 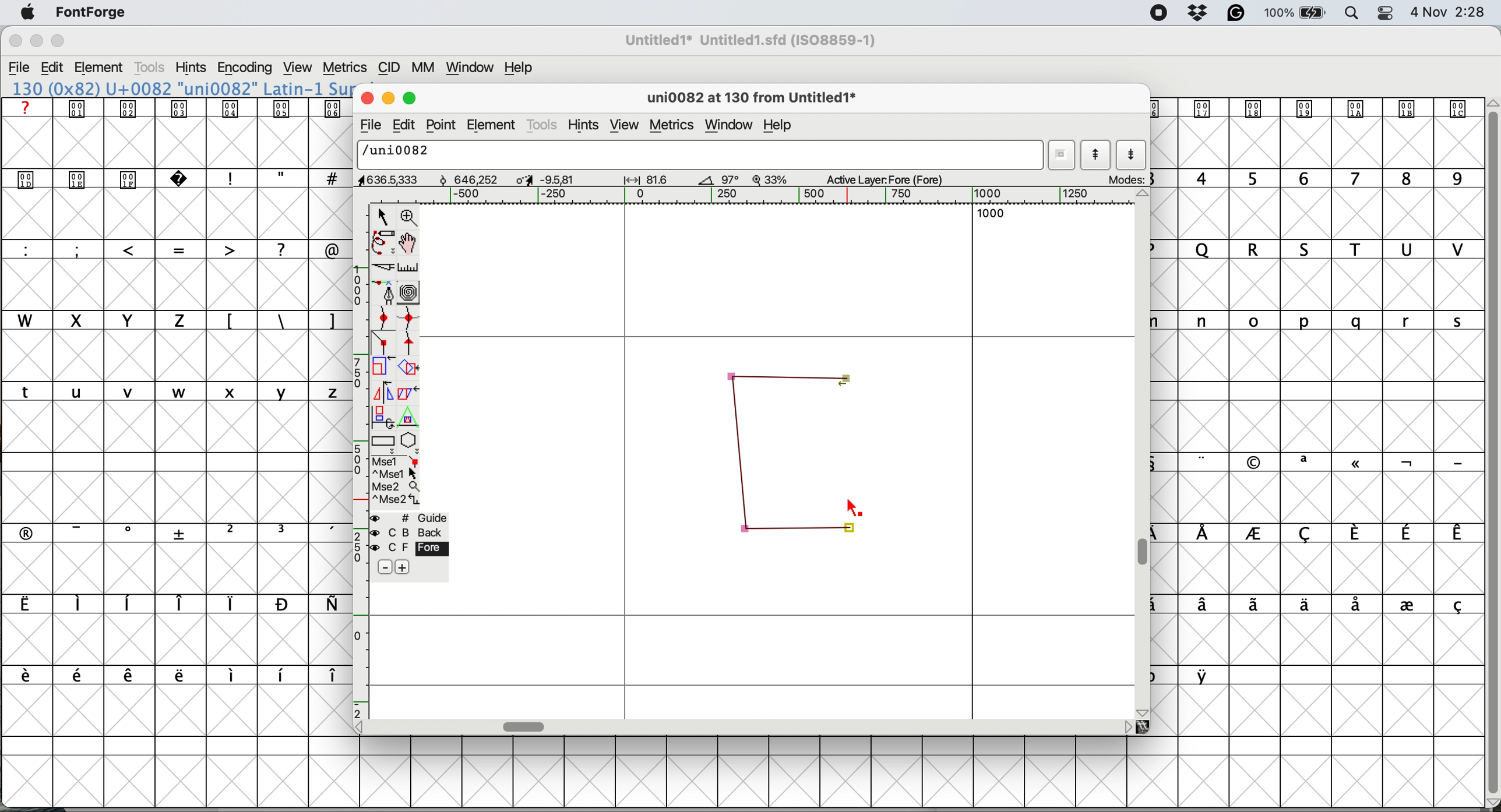 What do you see at coordinates (472, 68) in the screenshot?
I see `window` at bounding box center [472, 68].